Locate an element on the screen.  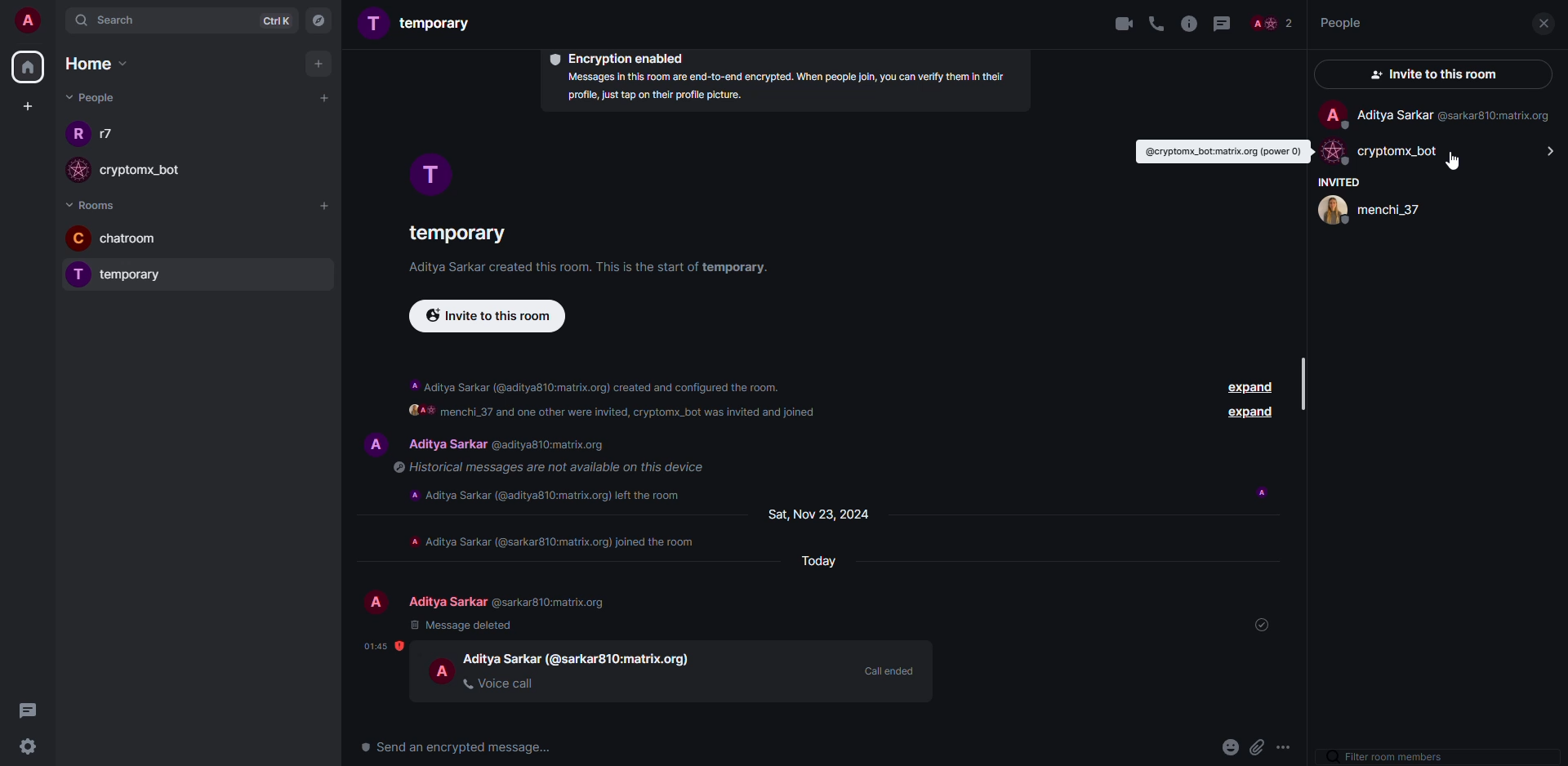
encryption enabled is located at coordinates (622, 57).